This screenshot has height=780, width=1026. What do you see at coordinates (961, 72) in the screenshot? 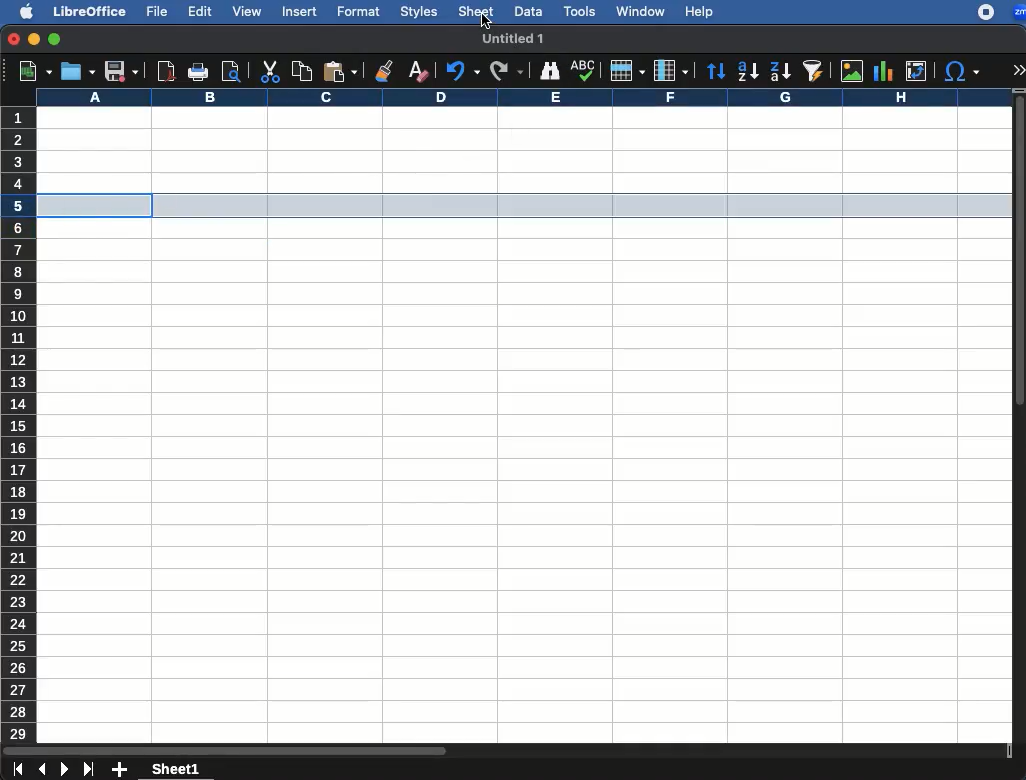
I see `special characters` at bounding box center [961, 72].